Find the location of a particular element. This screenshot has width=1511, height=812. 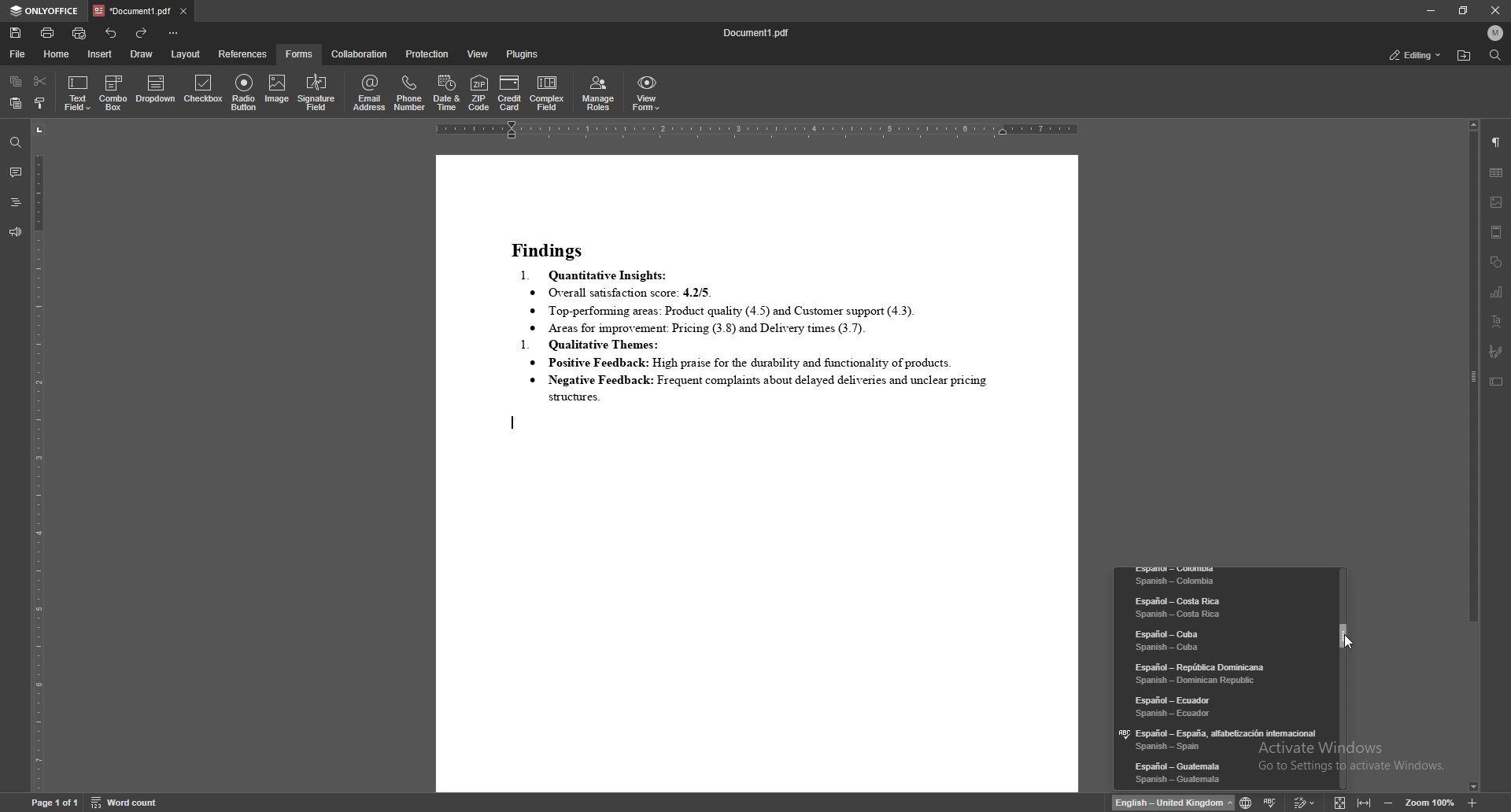

horizontal scale is located at coordinates (757, 131).